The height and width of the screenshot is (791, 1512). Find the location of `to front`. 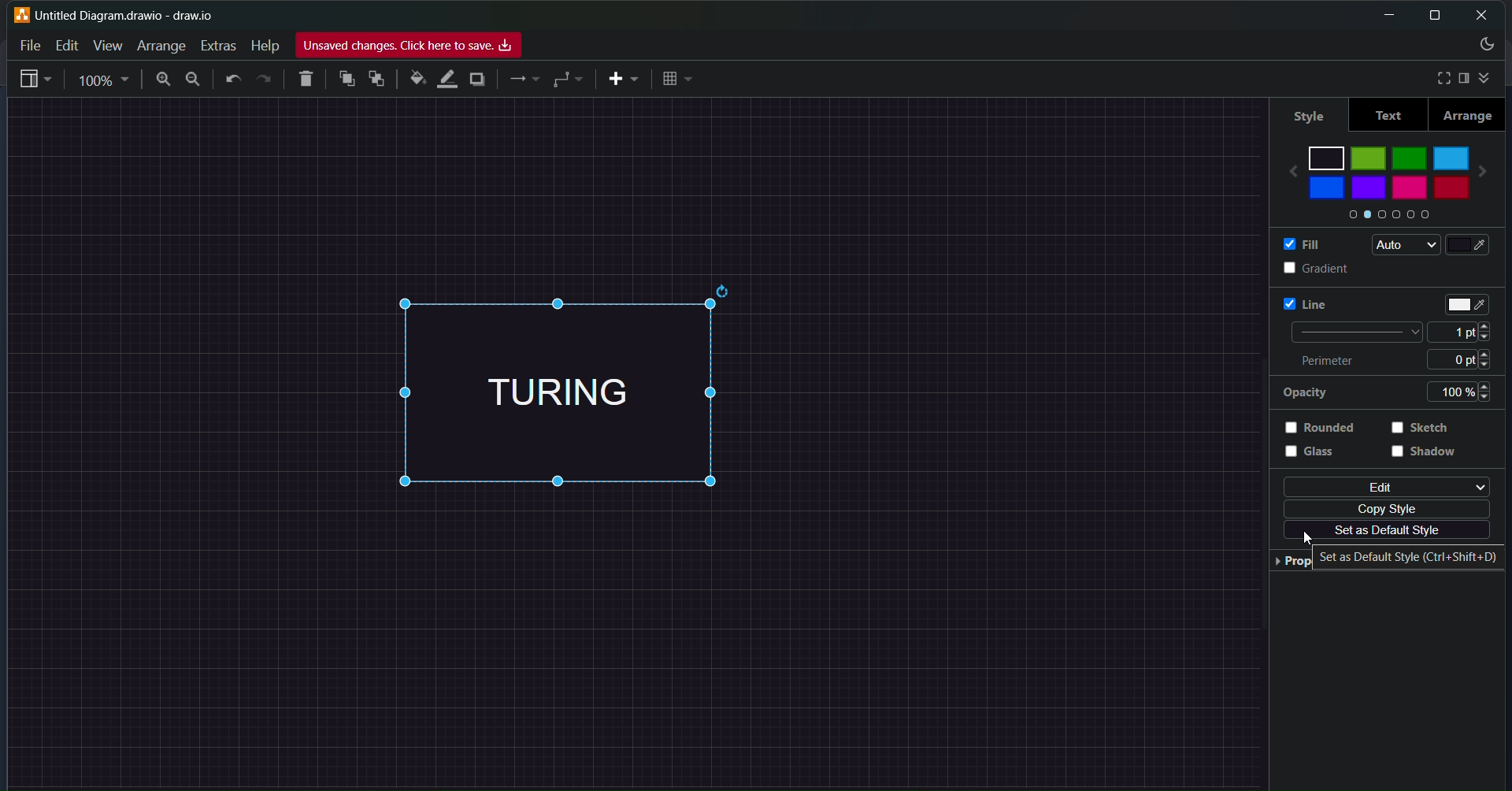

to front is located at coordinates (346, 78).